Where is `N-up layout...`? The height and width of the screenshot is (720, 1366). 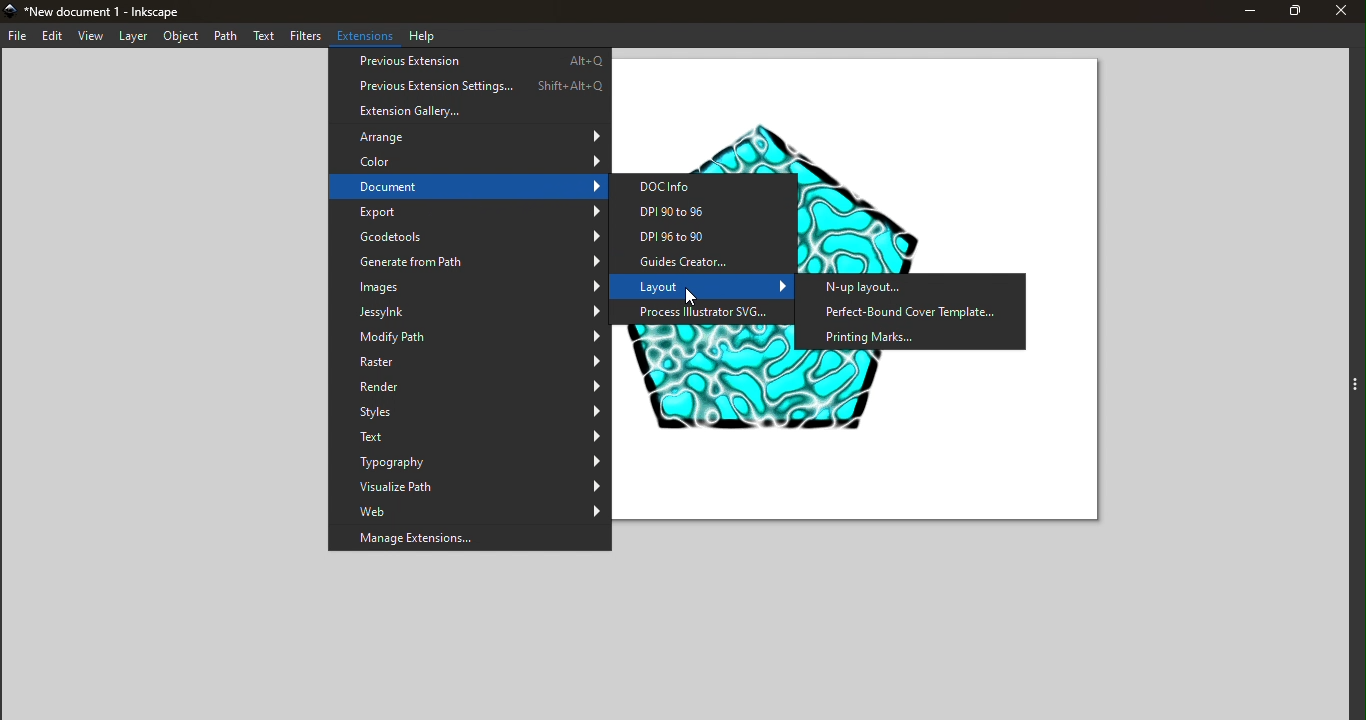
N-up layout... is located at coordinates (912, 286).